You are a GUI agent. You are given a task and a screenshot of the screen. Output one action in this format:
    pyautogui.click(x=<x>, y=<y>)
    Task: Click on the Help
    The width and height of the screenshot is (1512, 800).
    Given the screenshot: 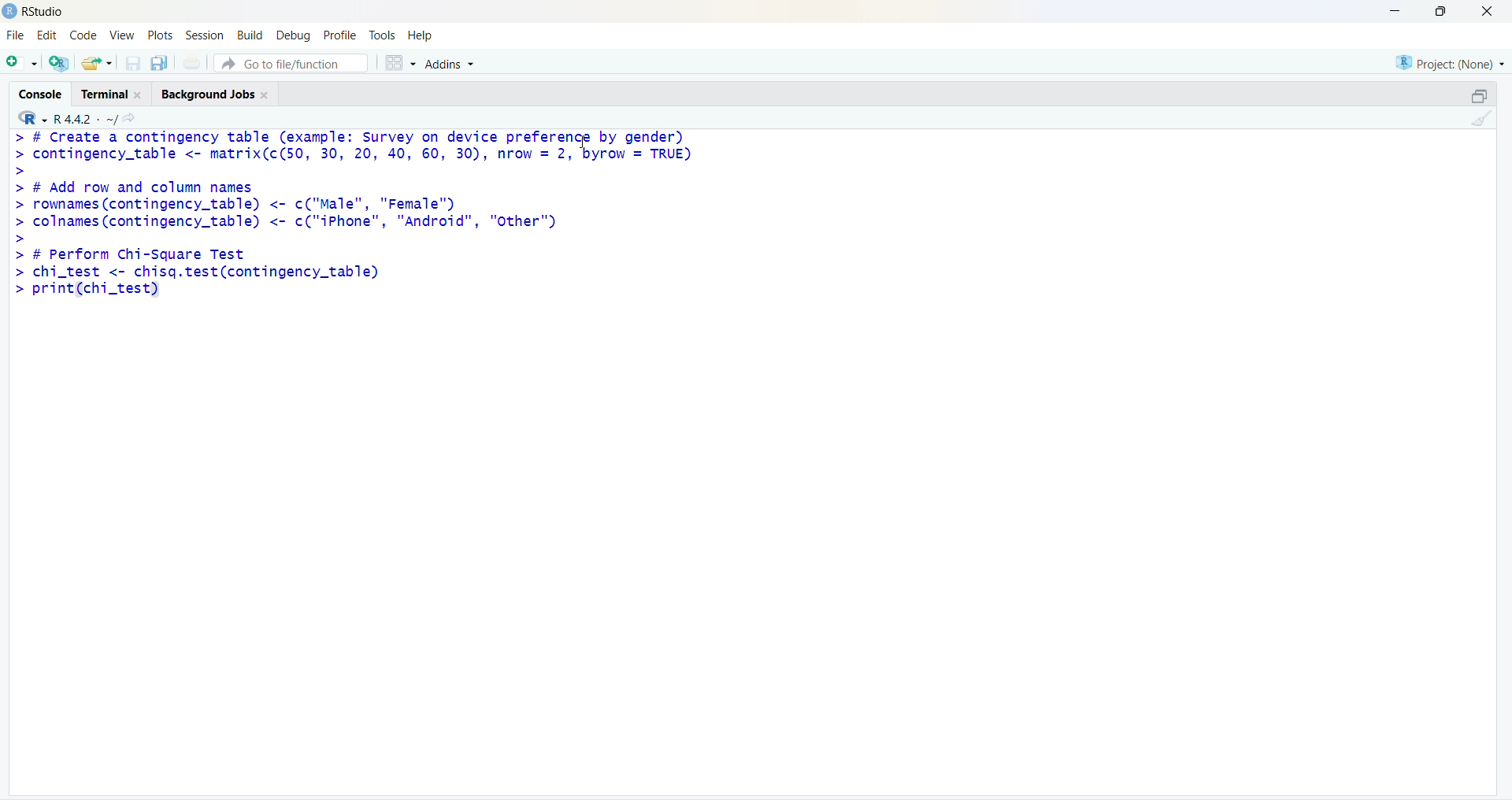 What is the action you would take?
    pyautogui.click(x=421, y=35)
    